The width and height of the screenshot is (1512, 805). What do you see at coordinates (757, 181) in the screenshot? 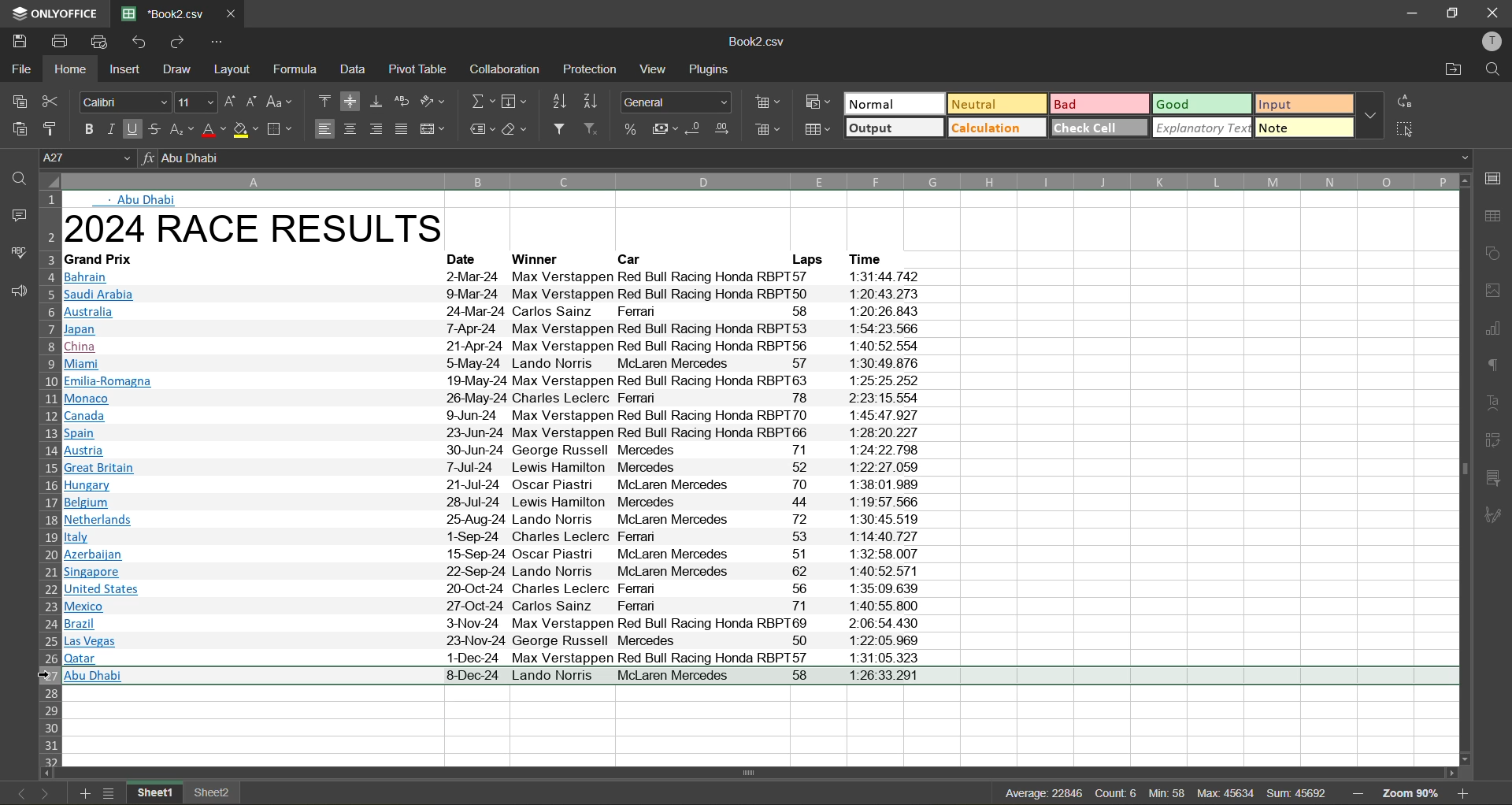
I see `column names` at bounding box center [757, 181].